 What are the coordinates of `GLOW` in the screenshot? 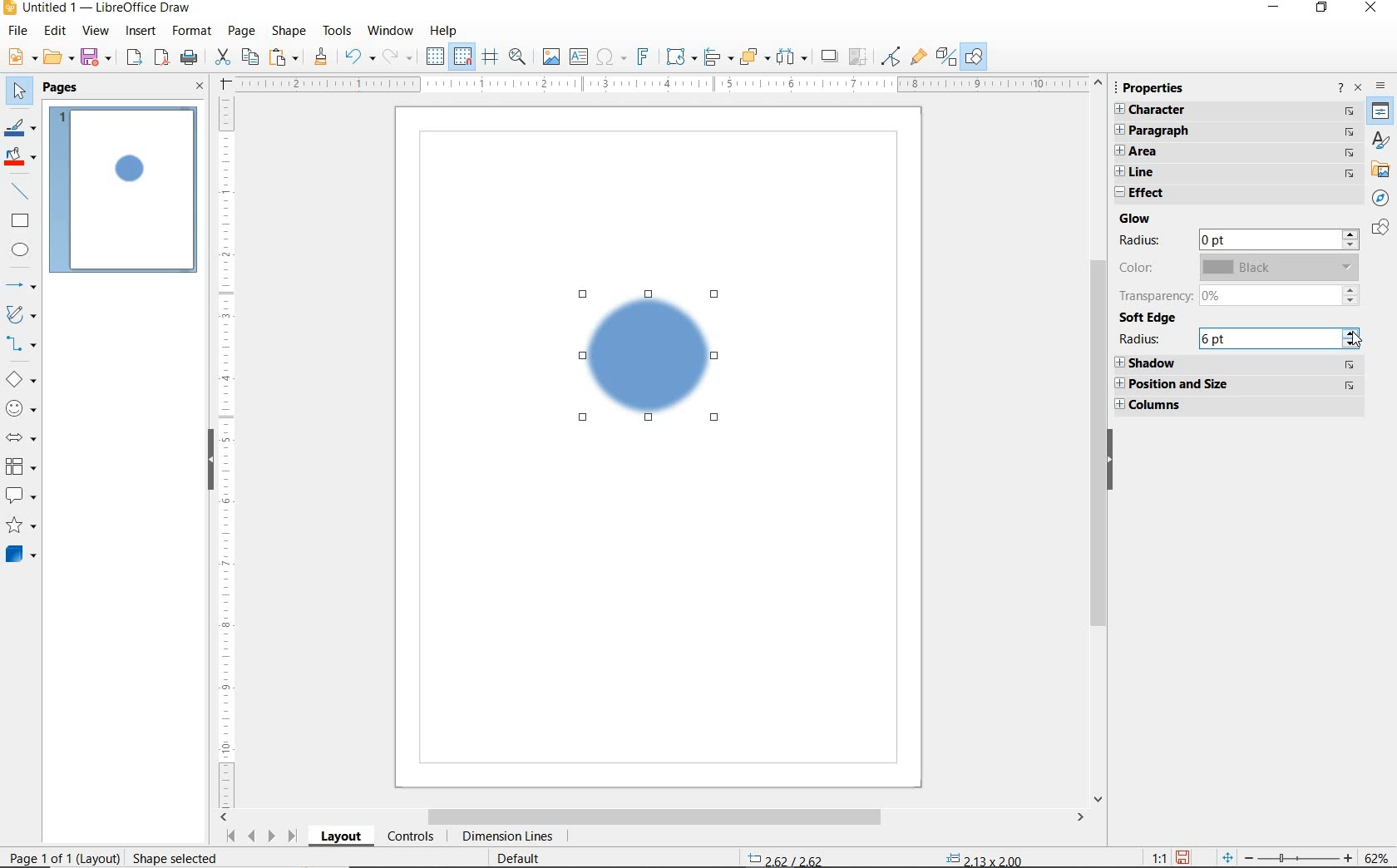 It's located at (1133, 218).